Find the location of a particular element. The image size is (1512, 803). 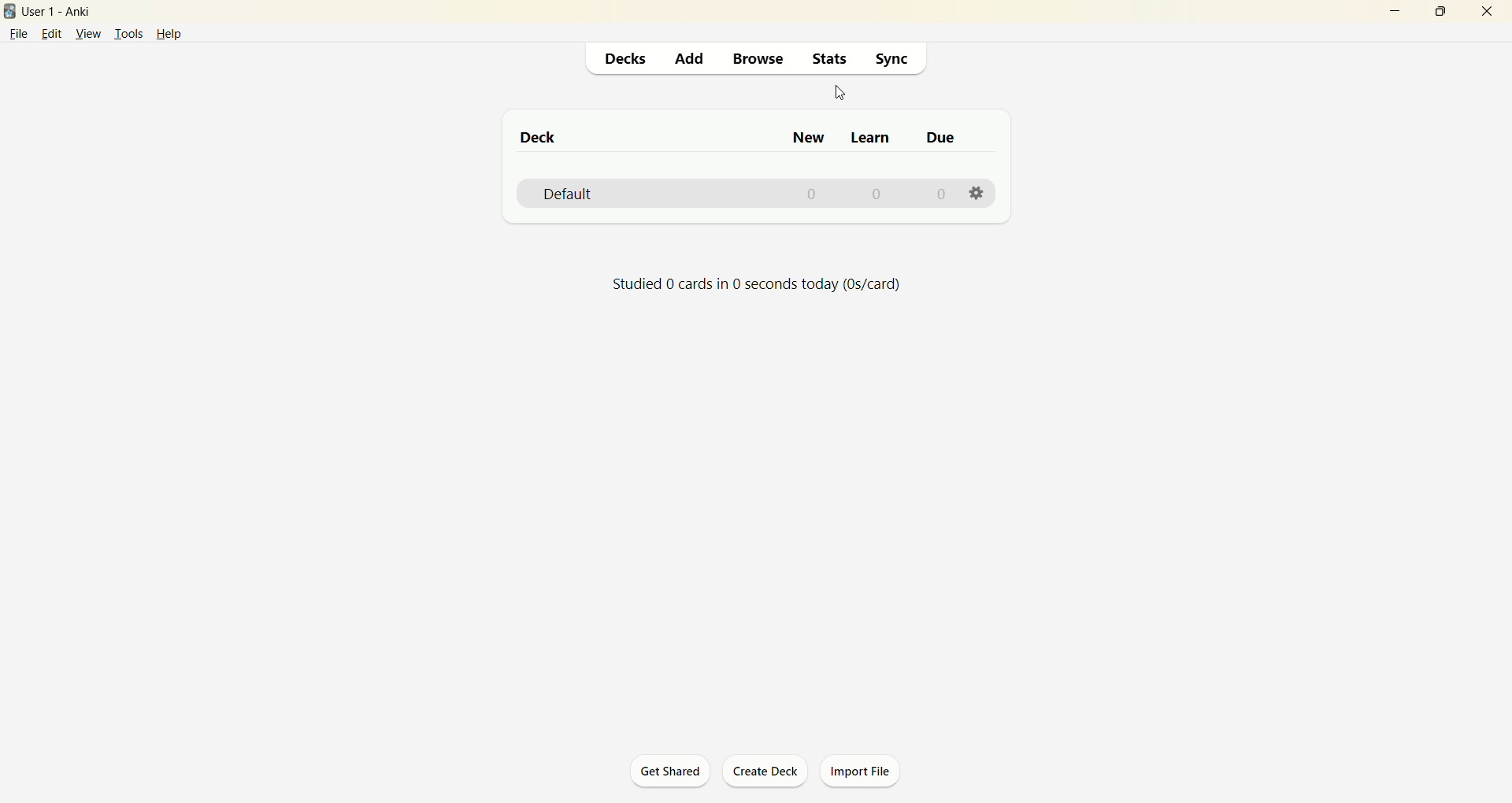

edit is located at coordinates (50, 33).